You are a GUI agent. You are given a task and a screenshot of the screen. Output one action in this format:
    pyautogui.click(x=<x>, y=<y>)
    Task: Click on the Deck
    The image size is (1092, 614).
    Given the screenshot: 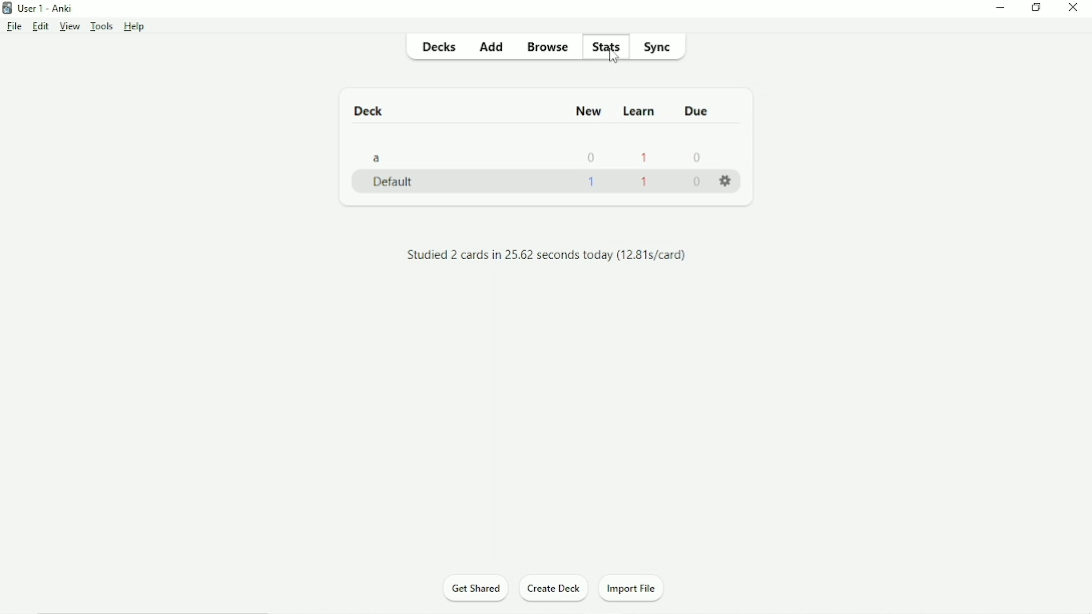 What is the action you would take?
    pyautogui.click(x=363, y=110)
    